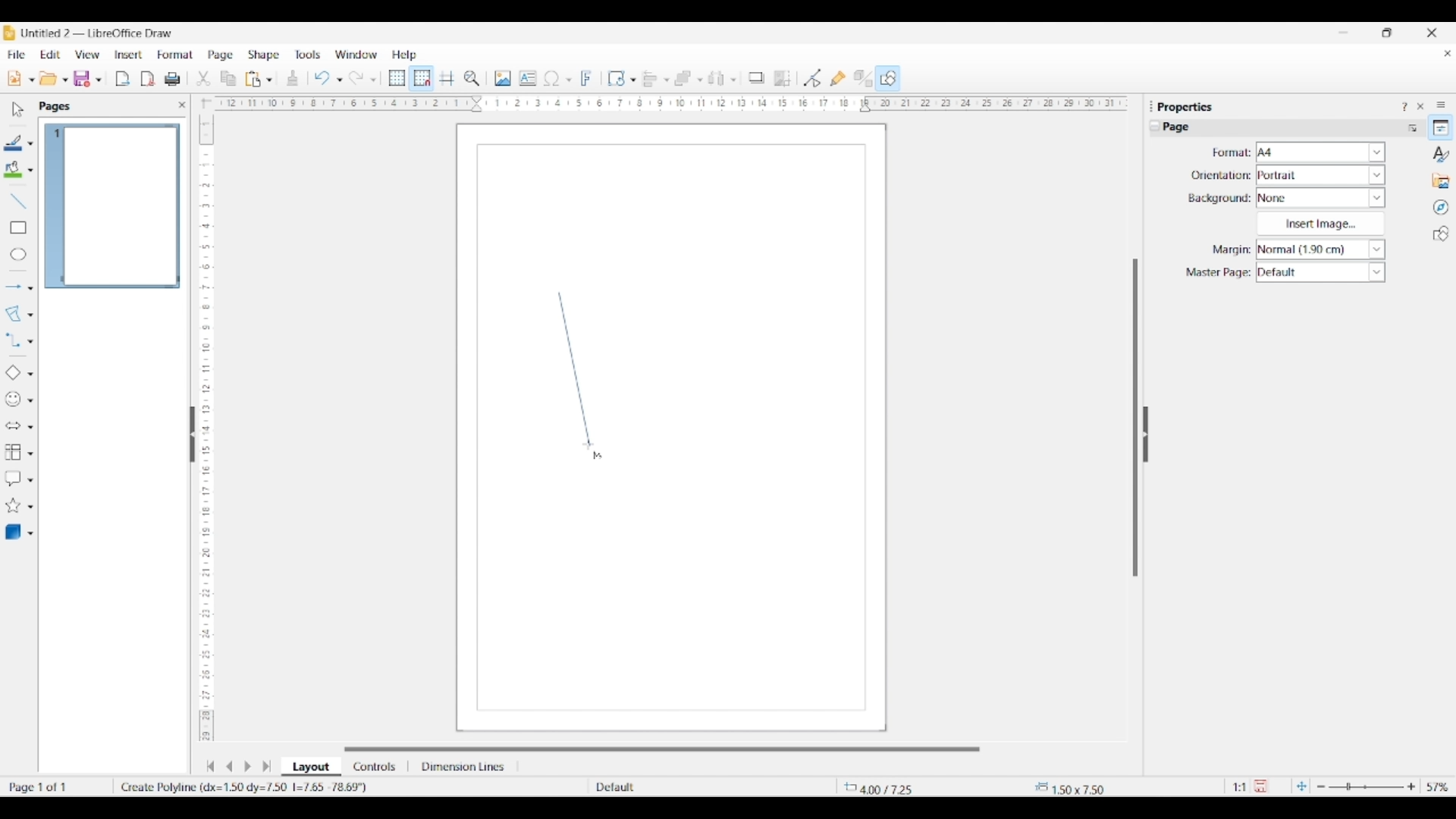 The width and height of the screenshot is (1456, 819). What do you see at coordinates (253, 79) in the screenshot?
I see `Selected paste options` at bounding box center [253, 79].